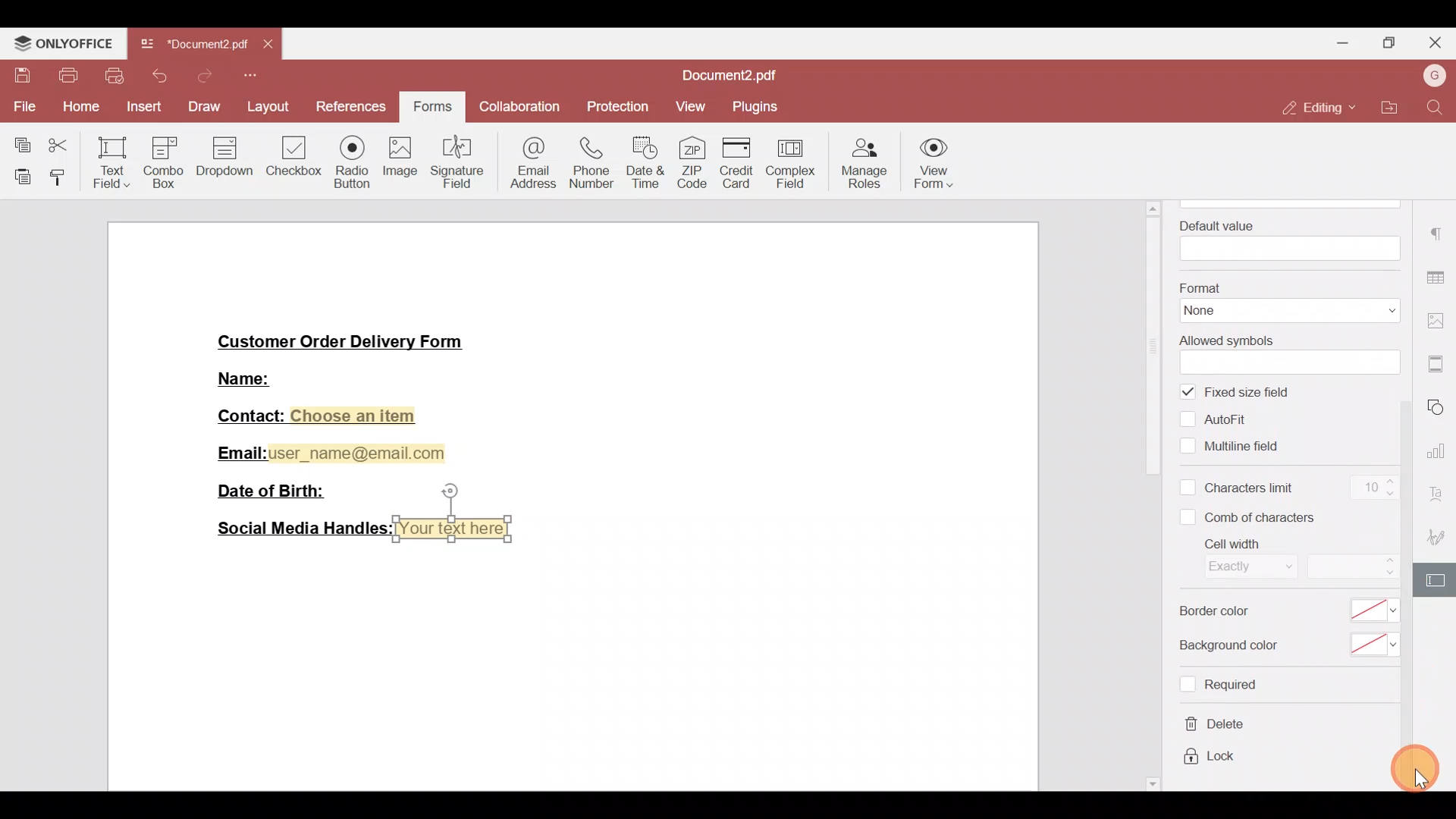  I want to click on Find, so click(1436, 108).